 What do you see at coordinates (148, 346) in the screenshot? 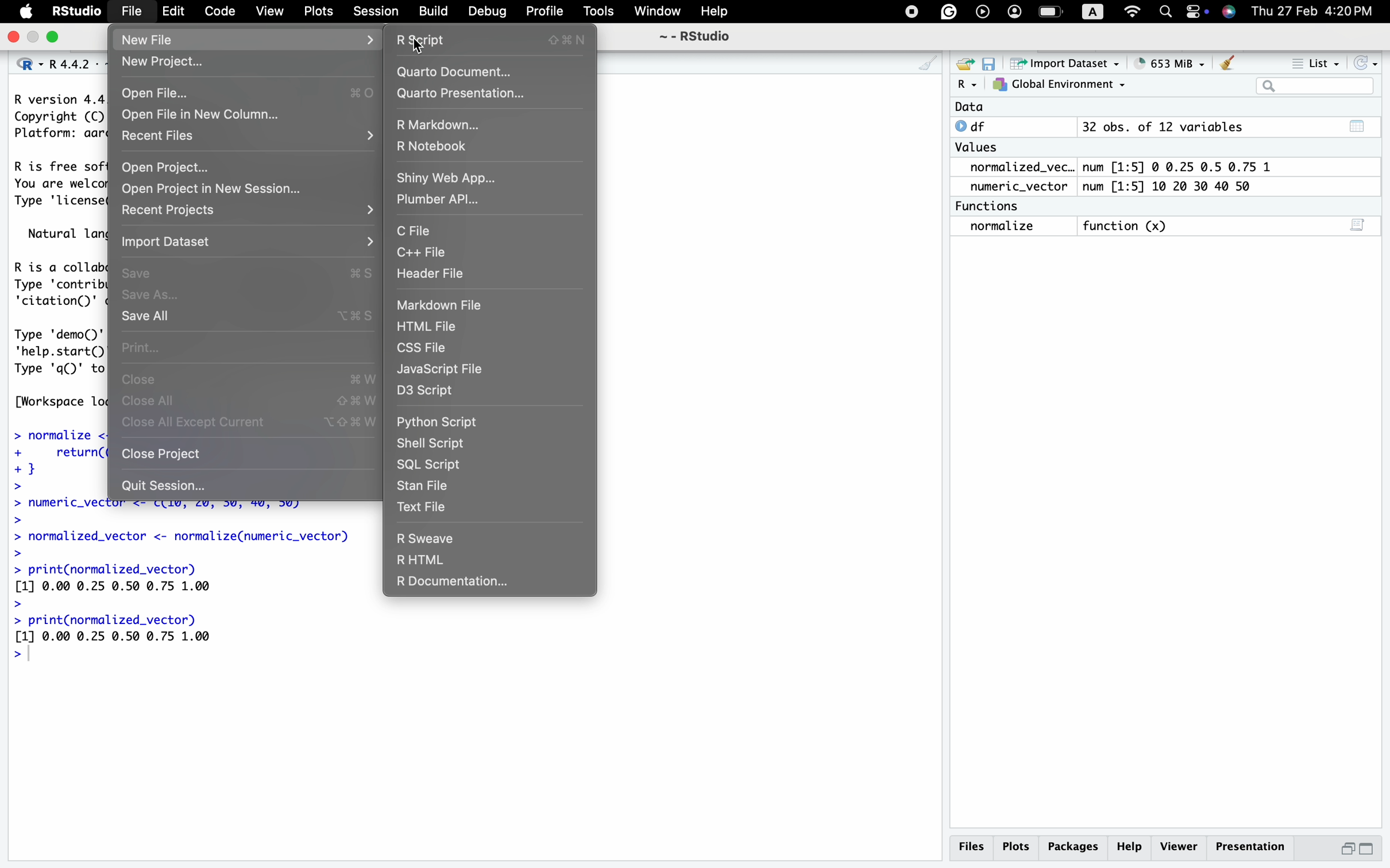
I see `Print` at bounding box center [148, 346].